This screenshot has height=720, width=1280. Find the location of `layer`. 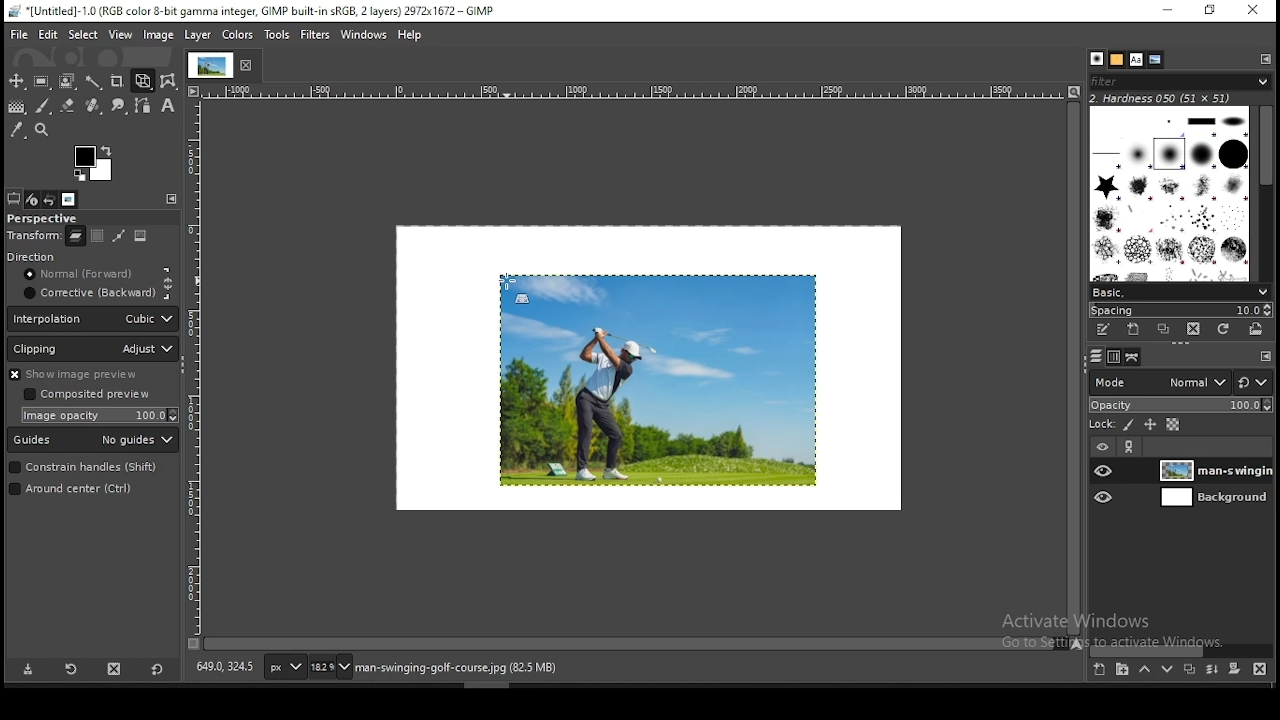

layer is located at coordinates (74, 239).